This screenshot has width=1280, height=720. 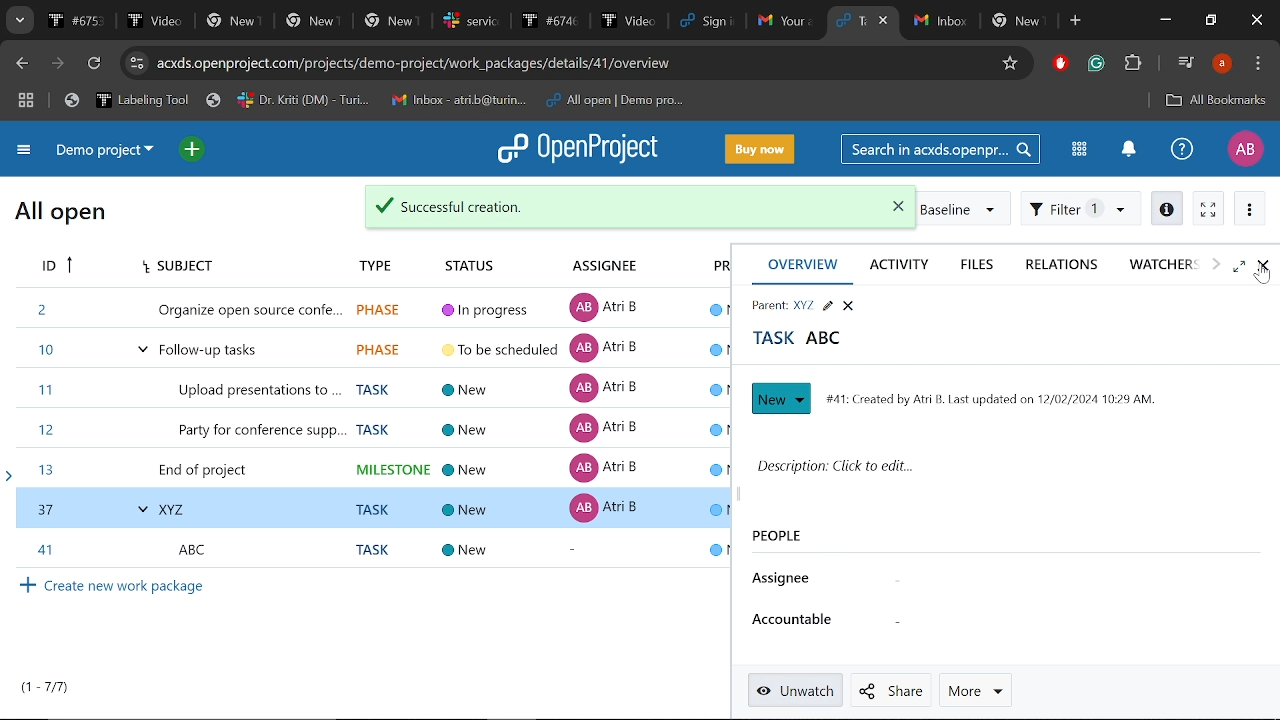 I want to click on successful creation, so click(x=574, y=204).